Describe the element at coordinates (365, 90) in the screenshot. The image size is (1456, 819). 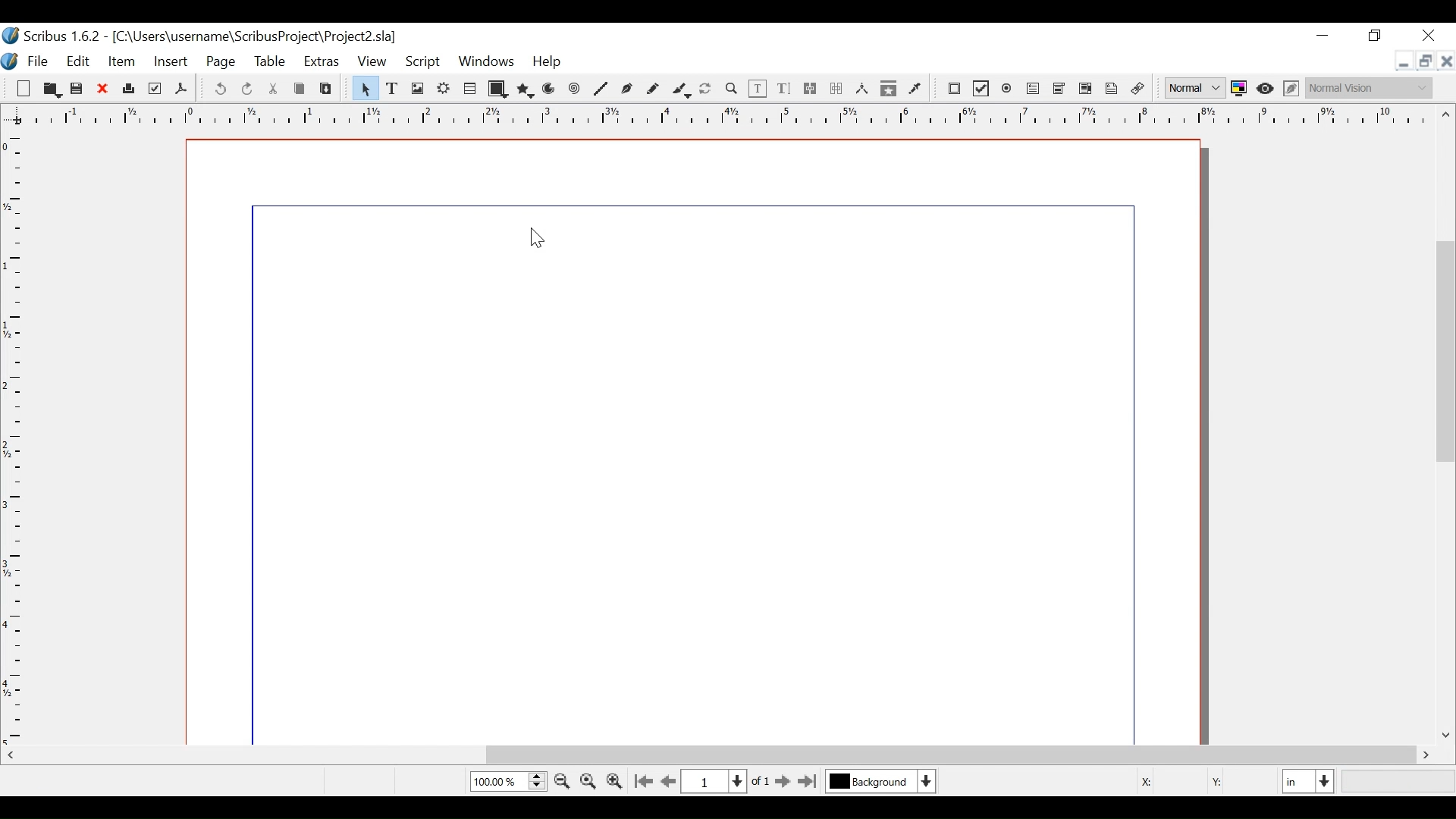
I see `Select` at that location.